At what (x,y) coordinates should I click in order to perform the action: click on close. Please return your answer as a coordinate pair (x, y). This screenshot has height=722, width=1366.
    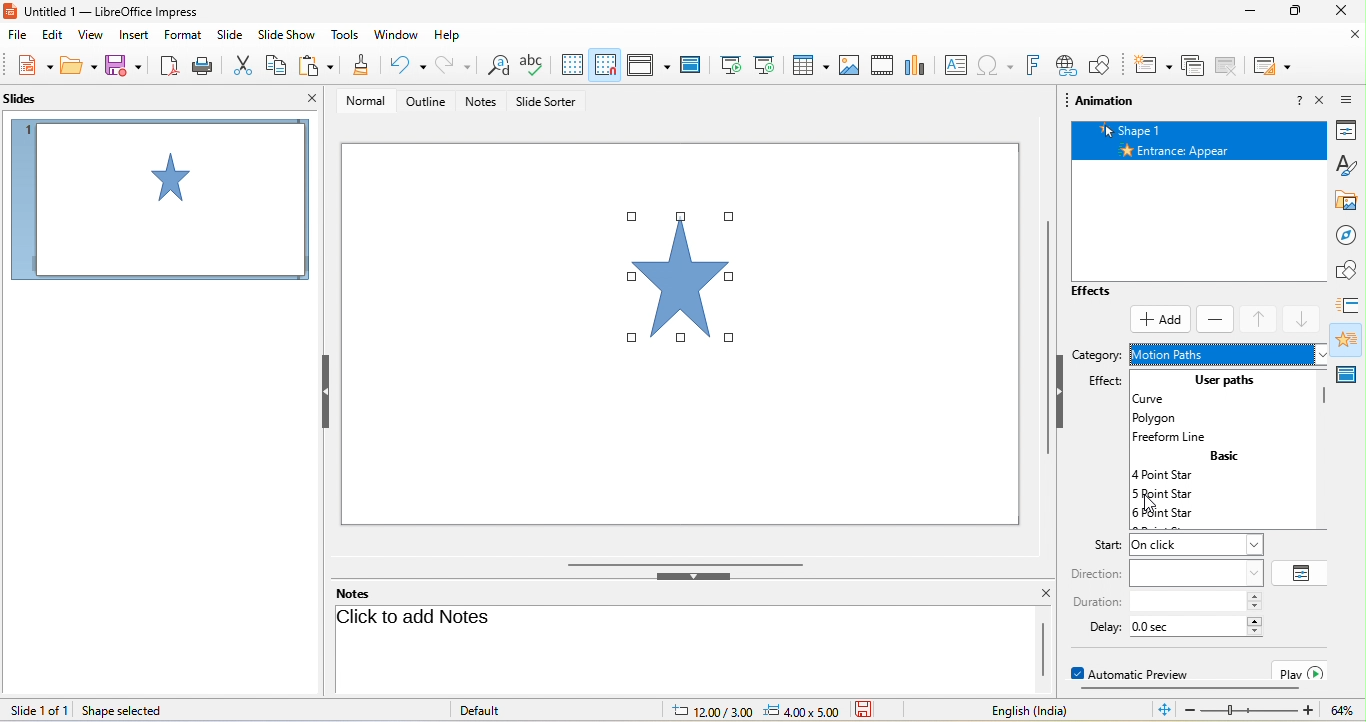
    Looking at the image, I should click on (1351, 36).